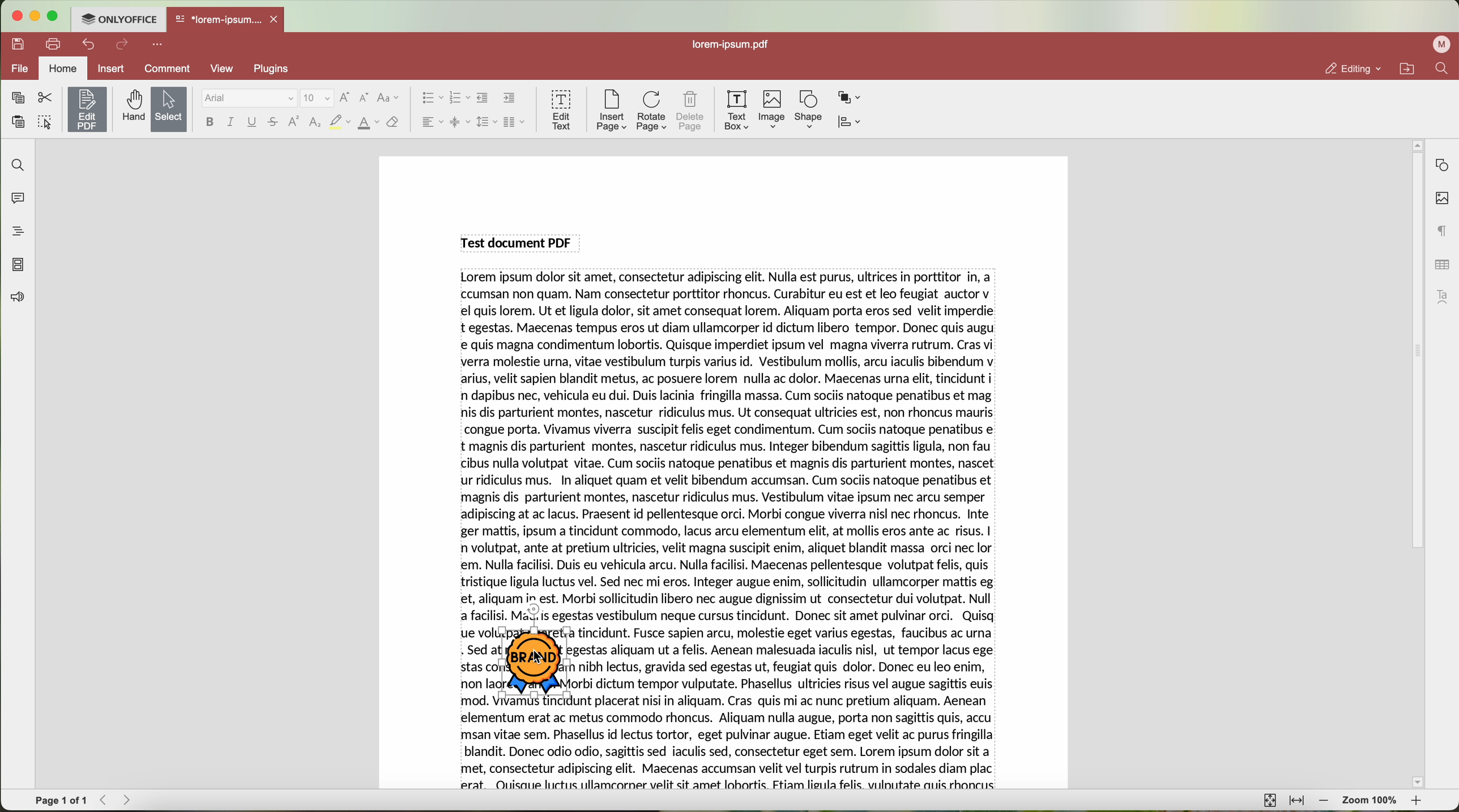 The image size is (1459, 812). Describe the element at coordinates (45, 98) in the screenshot. I see `cut` at that location.